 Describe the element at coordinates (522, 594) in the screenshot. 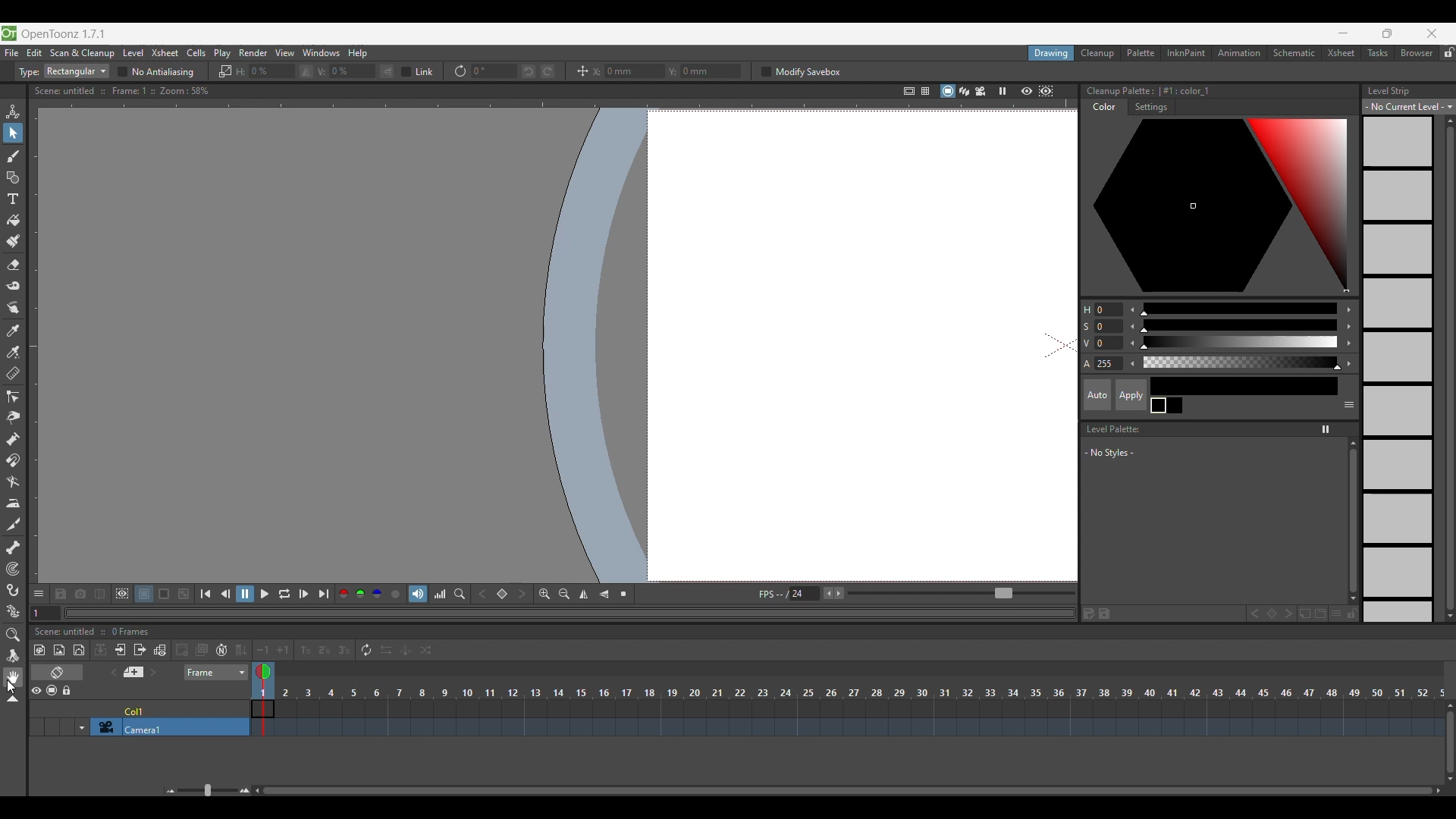

I see `Next key` at that location.